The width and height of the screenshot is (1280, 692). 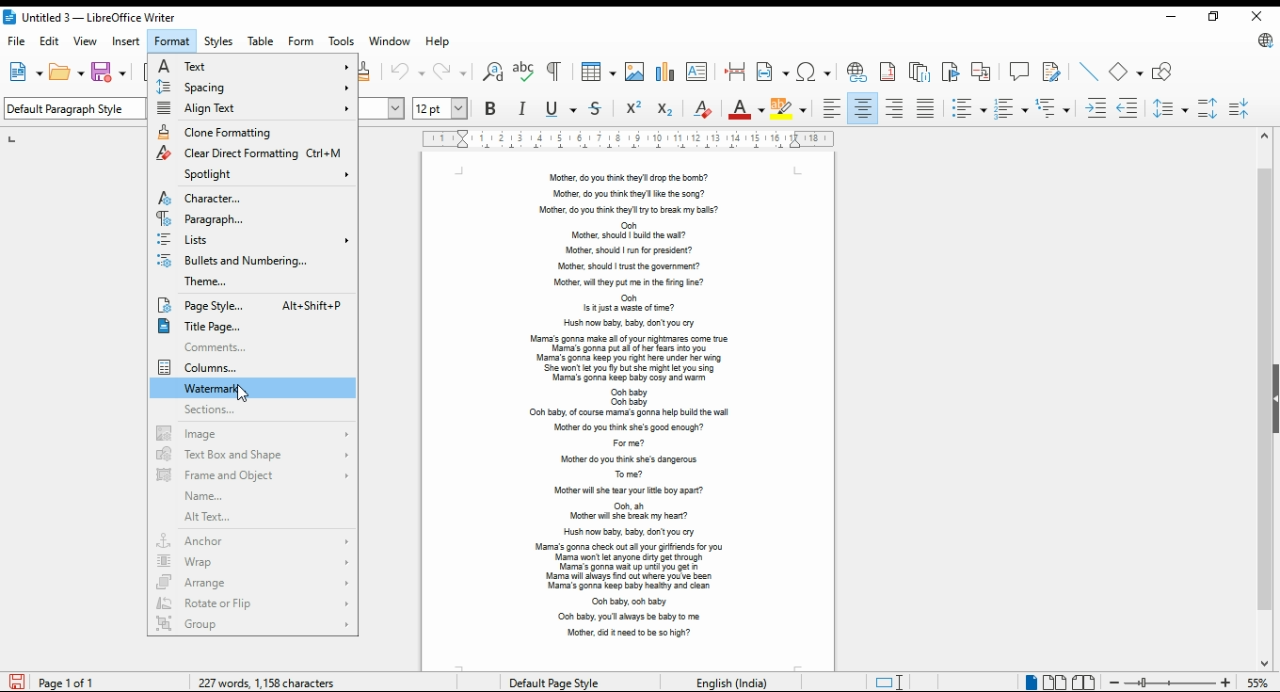 What do you see at coordinates (791, 108) in the screenshot?
I see `highlight color` at bounding box center [791, 108].